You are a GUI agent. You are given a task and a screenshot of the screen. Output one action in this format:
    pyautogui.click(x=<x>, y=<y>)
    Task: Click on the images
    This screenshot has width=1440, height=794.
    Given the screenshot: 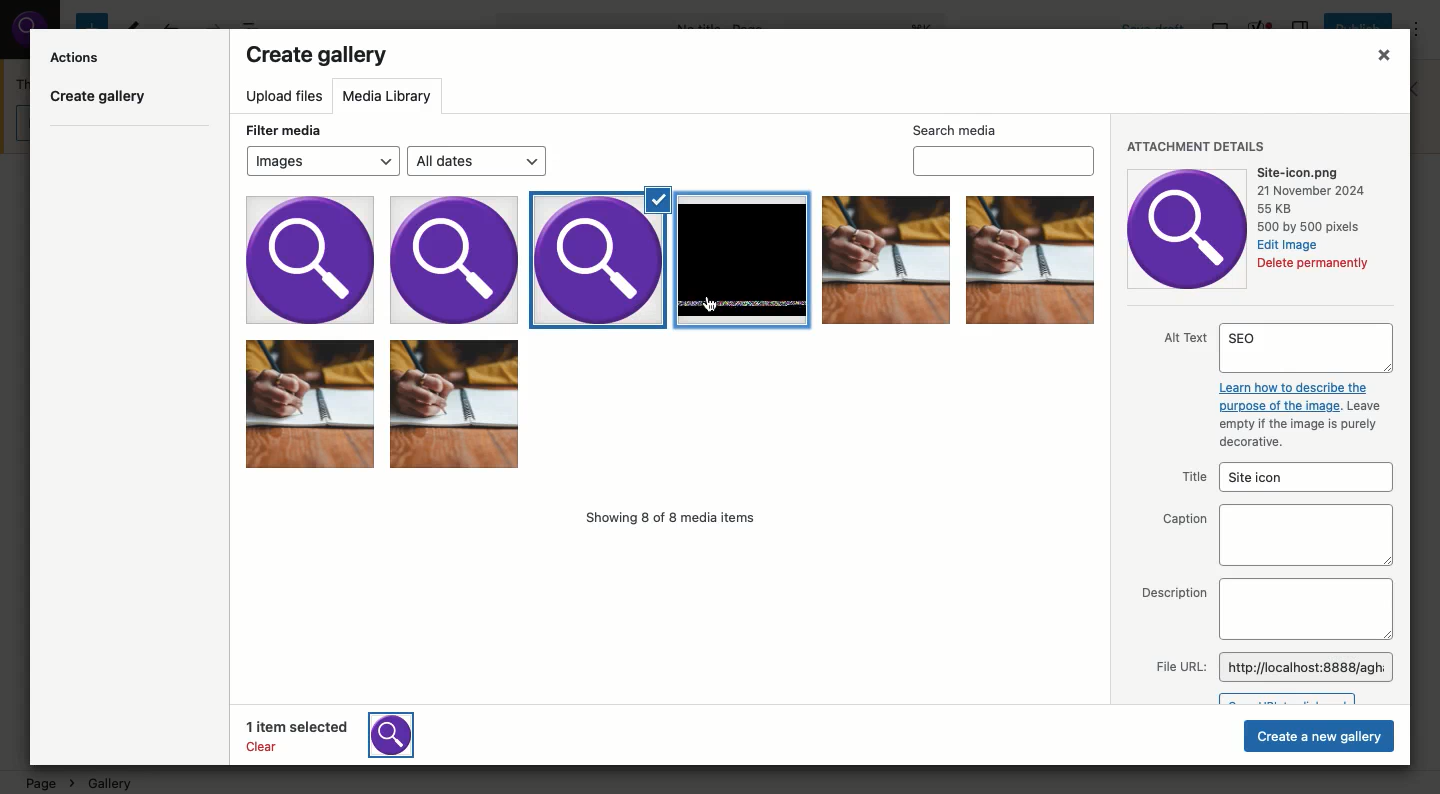 What is the action you would take?
    pyautogui.click(x=379, y=258)
    